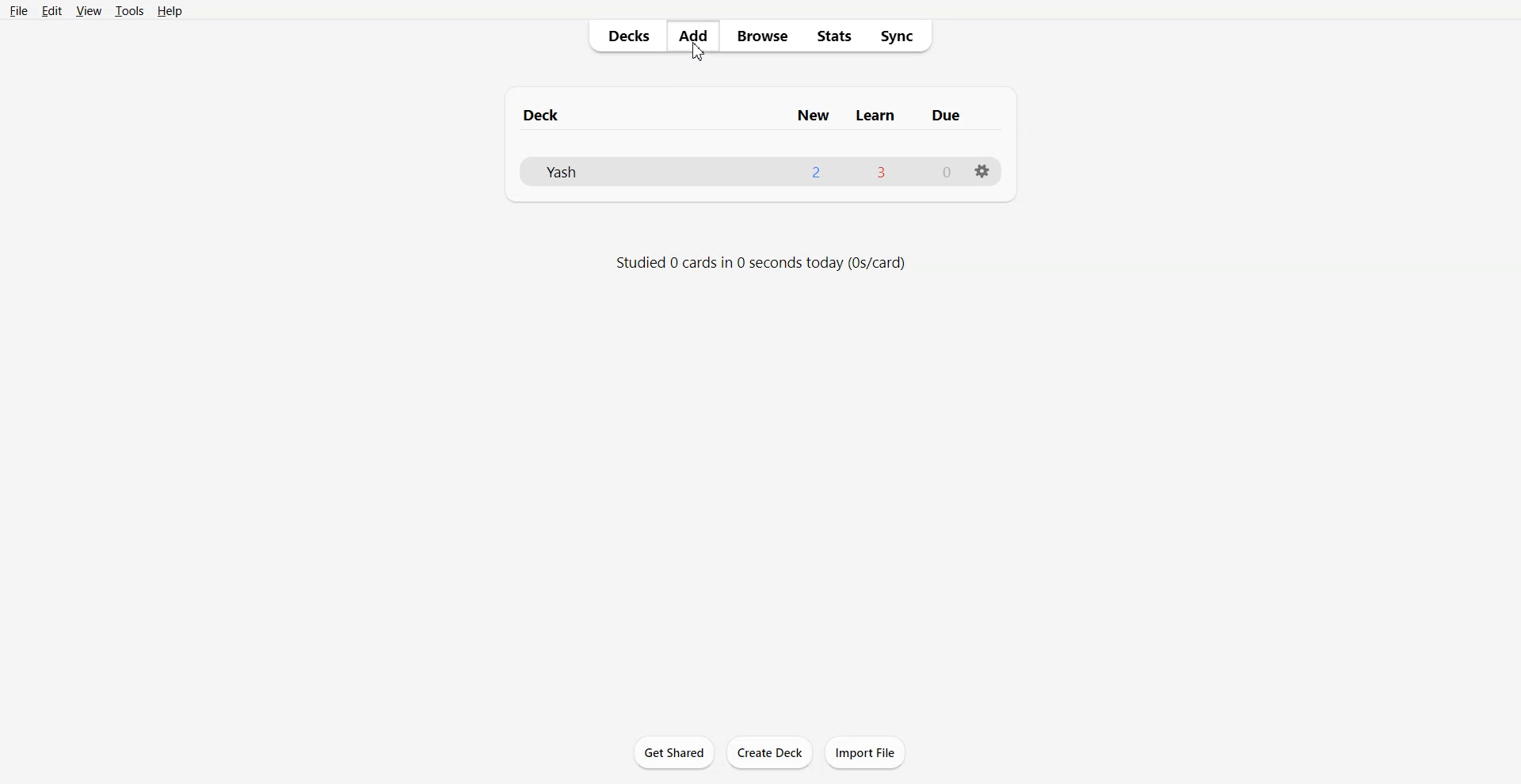 This screenshot has width=1521, height=784. I want to click on New, so click(814, 116).